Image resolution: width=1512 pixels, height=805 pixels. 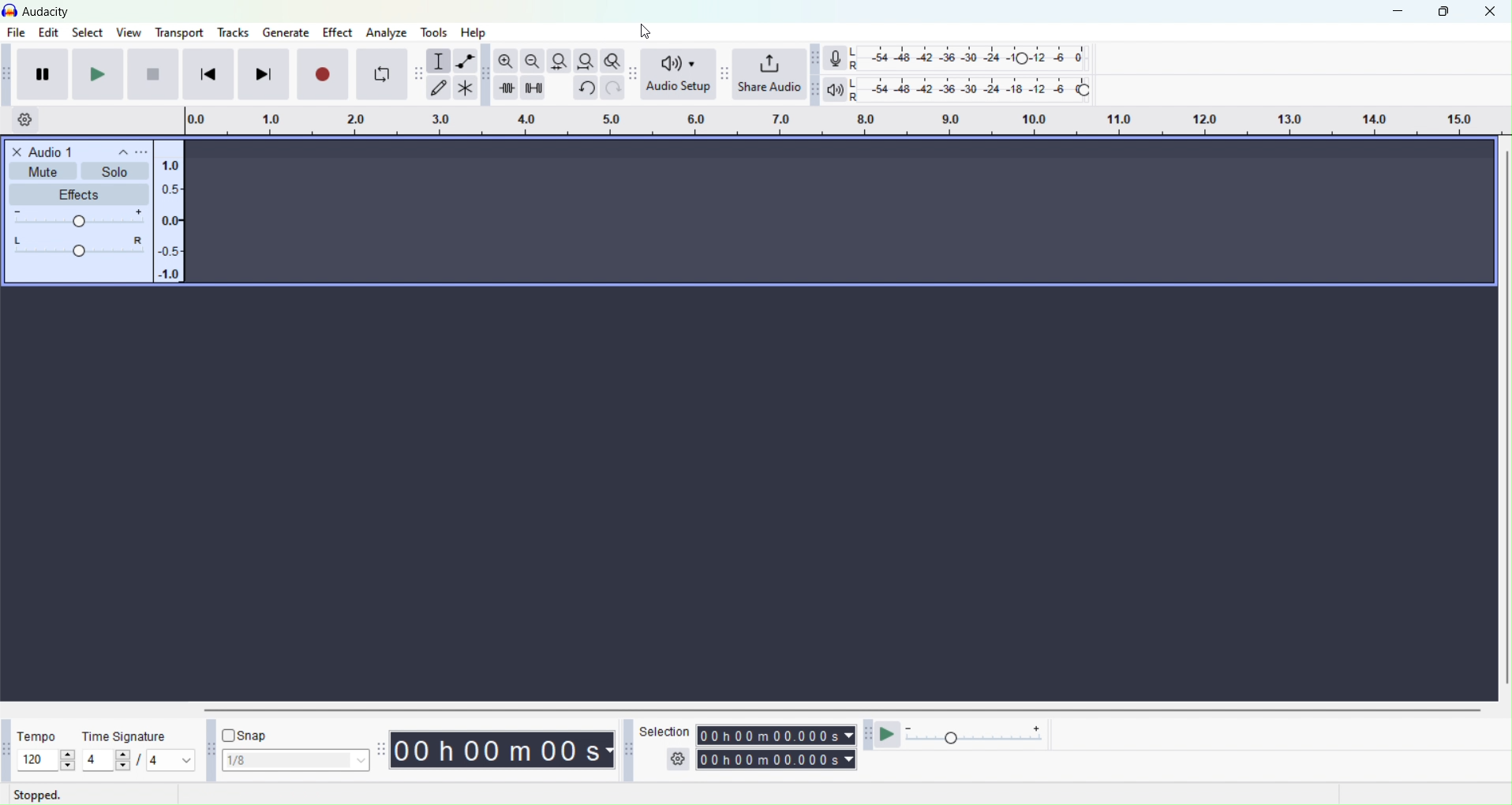 I want to click on Timing of track, so click(x=777, y=758).